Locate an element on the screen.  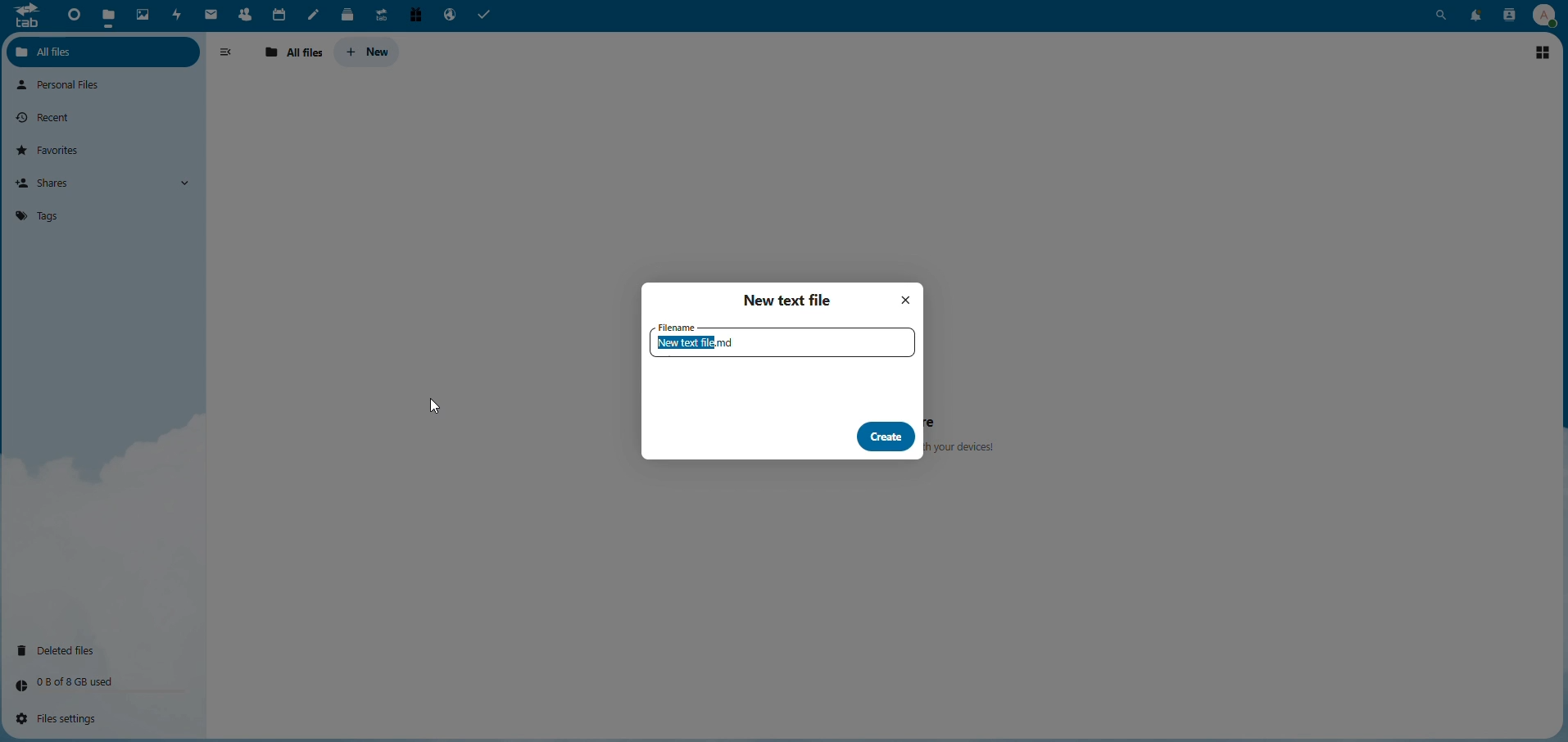
New Text File is located at coordinates (791, 300).